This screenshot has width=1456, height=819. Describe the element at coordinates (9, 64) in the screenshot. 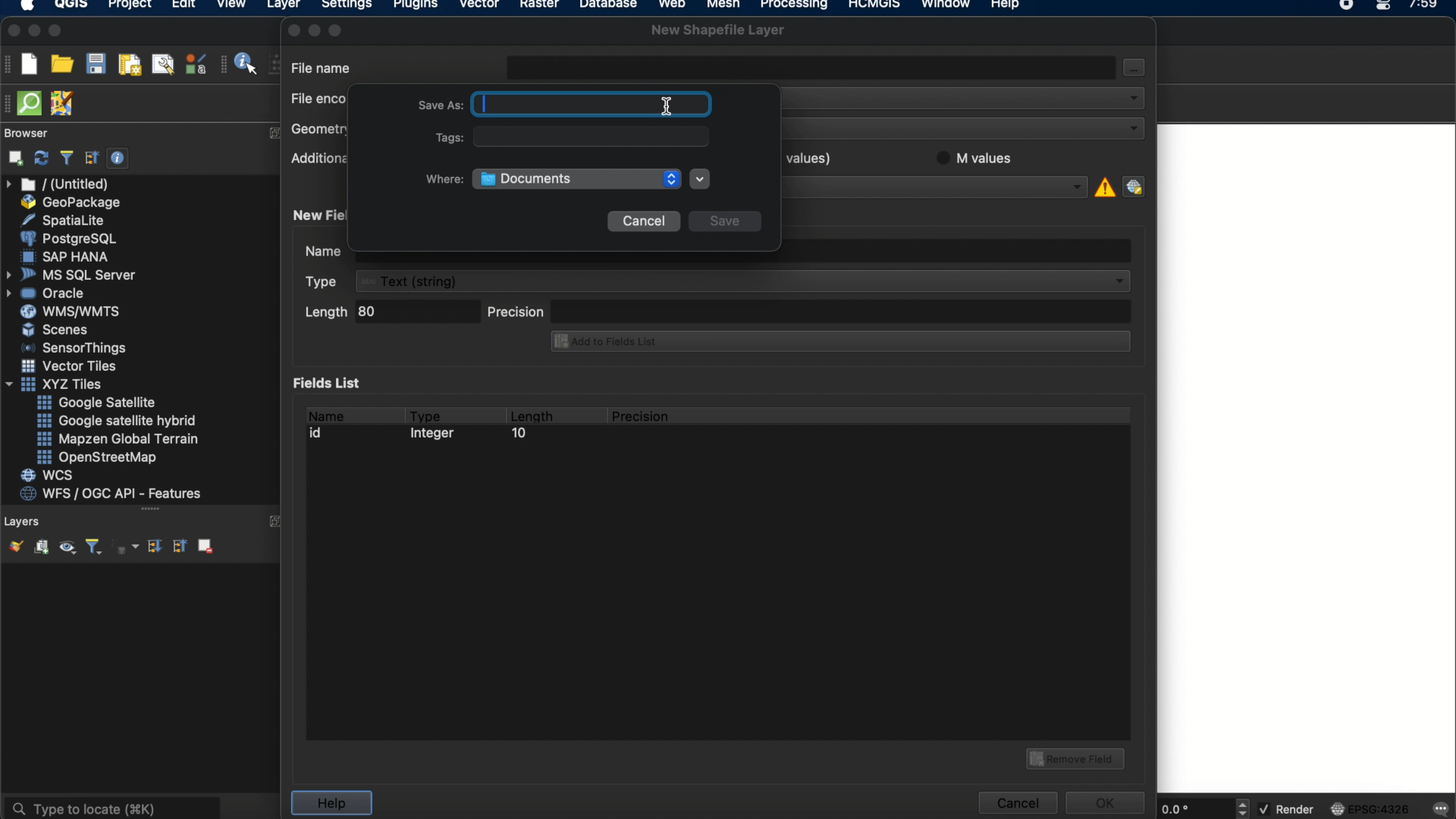

I see `project toolbar` at that location.